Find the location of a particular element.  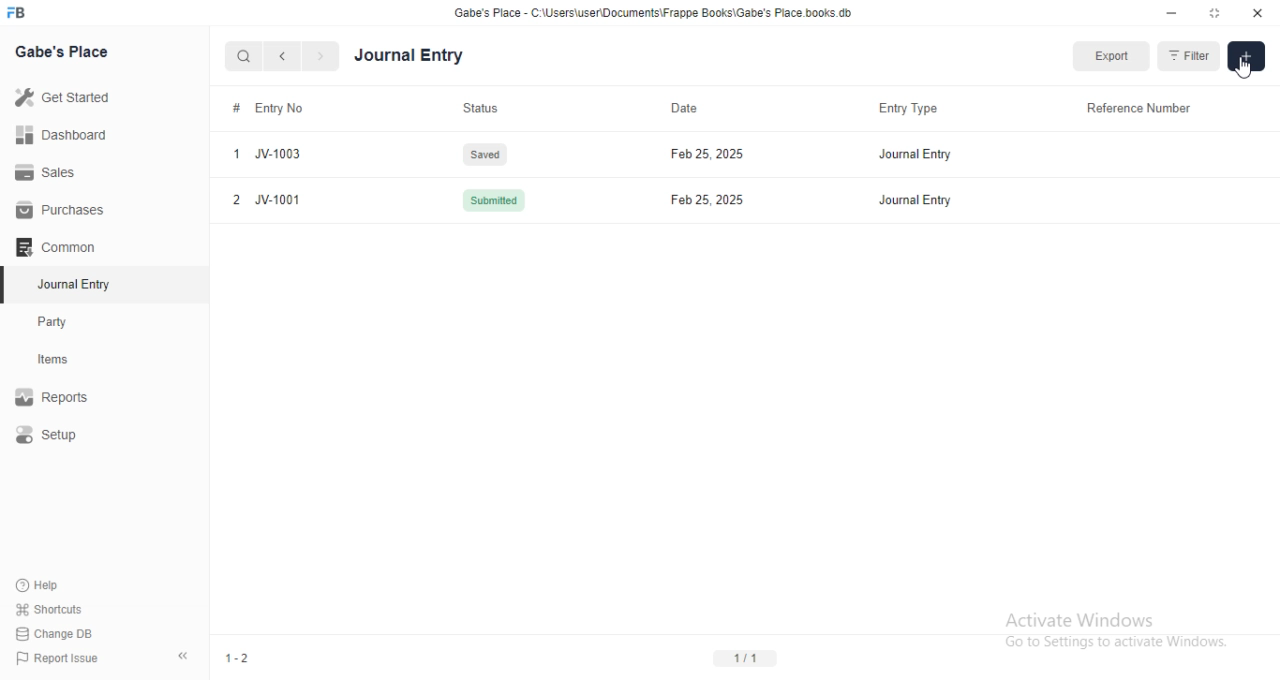

1-2 is located at coordinates (240, 660).